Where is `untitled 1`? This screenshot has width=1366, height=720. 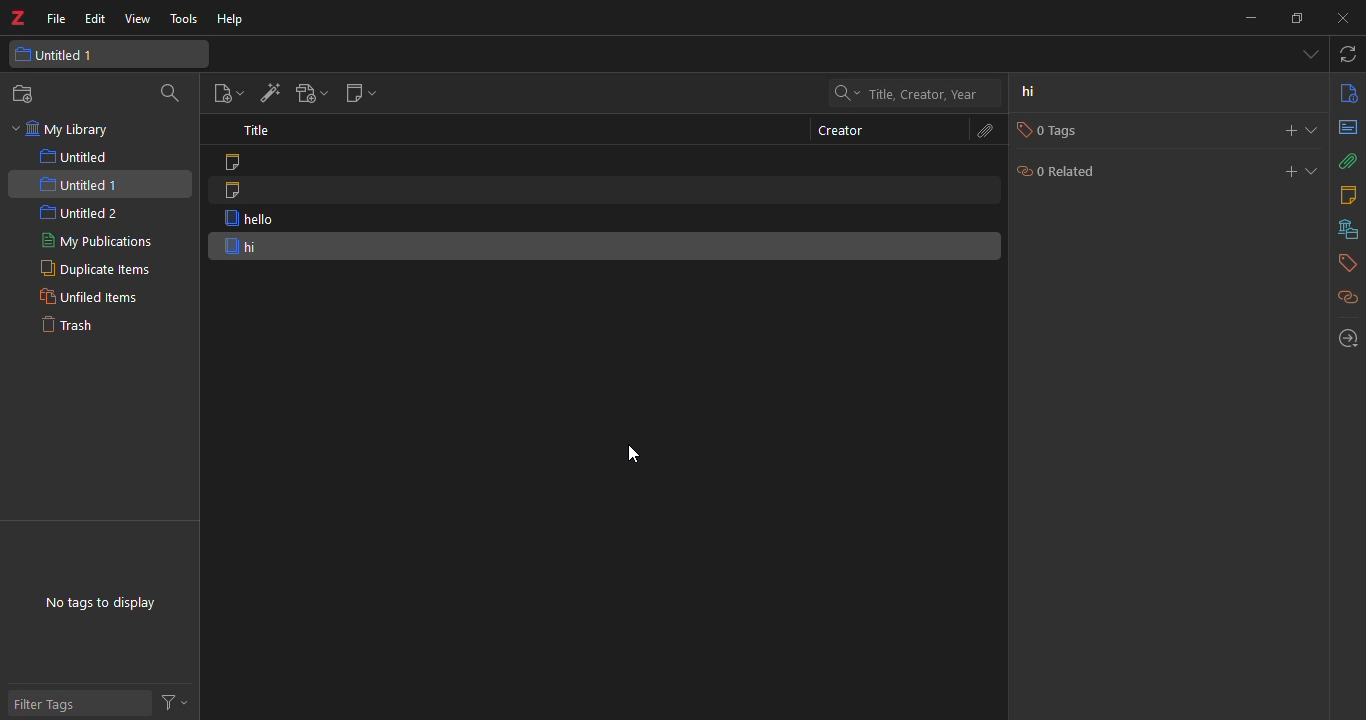 untitled 1 is located at coordinates (82, 184).